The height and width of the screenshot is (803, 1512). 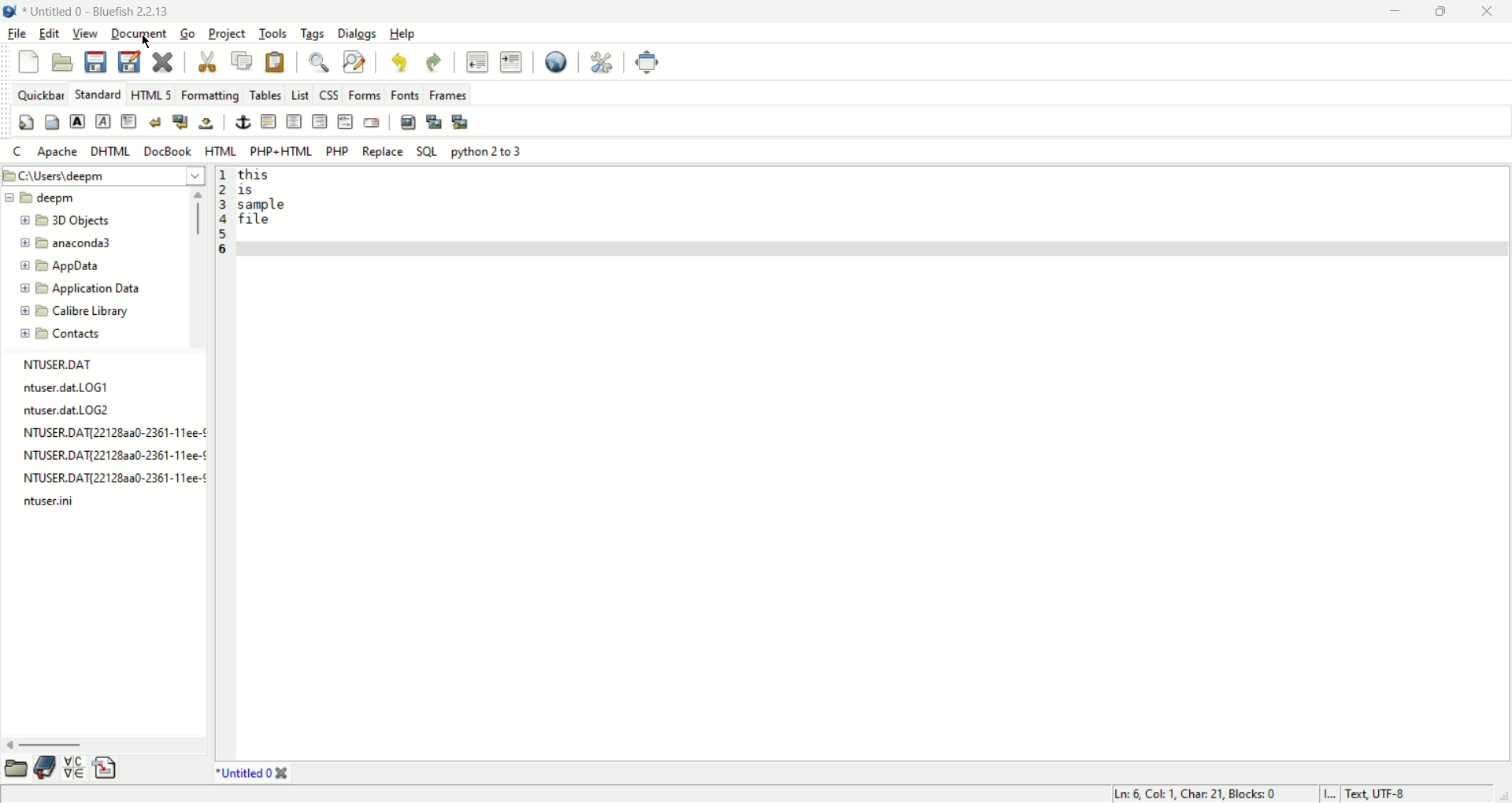 What do you see at coordinates (189, 34) in the screenshot?
I see `go` at bounding box center [189, 34].